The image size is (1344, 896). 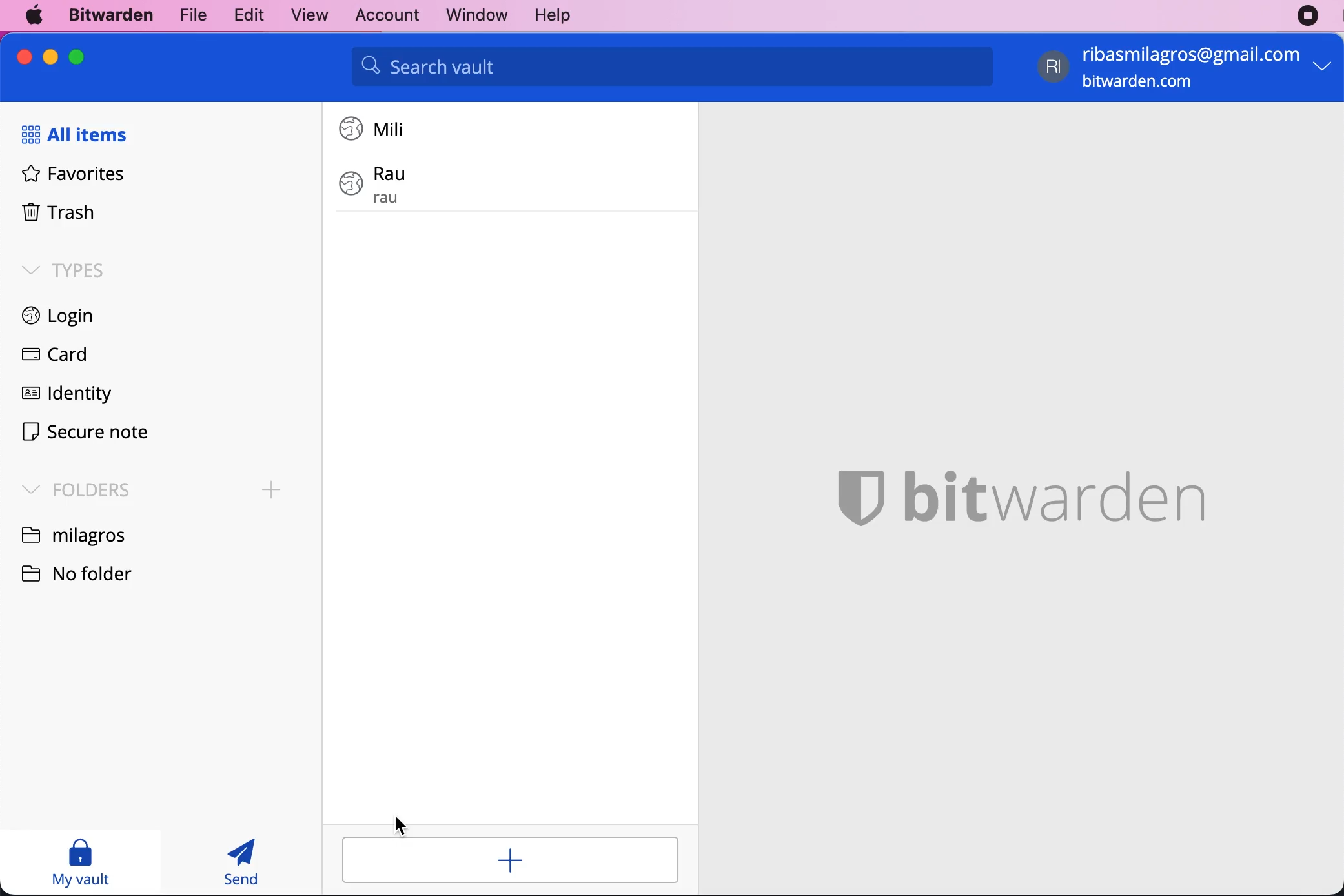 What do you see at coordinates (108, 16) in the screenshot?
I see `bitwarden` at bounding box center [108, 16].